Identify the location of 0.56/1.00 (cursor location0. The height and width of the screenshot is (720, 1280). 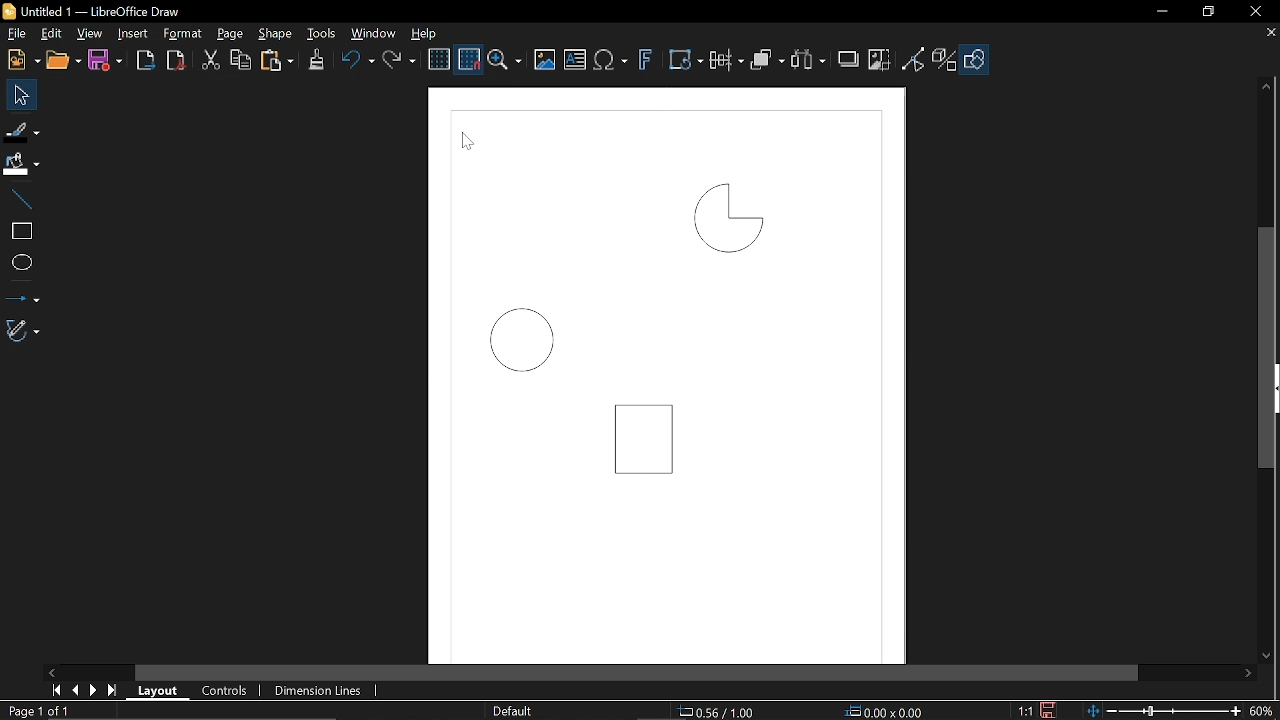
(721, 713).